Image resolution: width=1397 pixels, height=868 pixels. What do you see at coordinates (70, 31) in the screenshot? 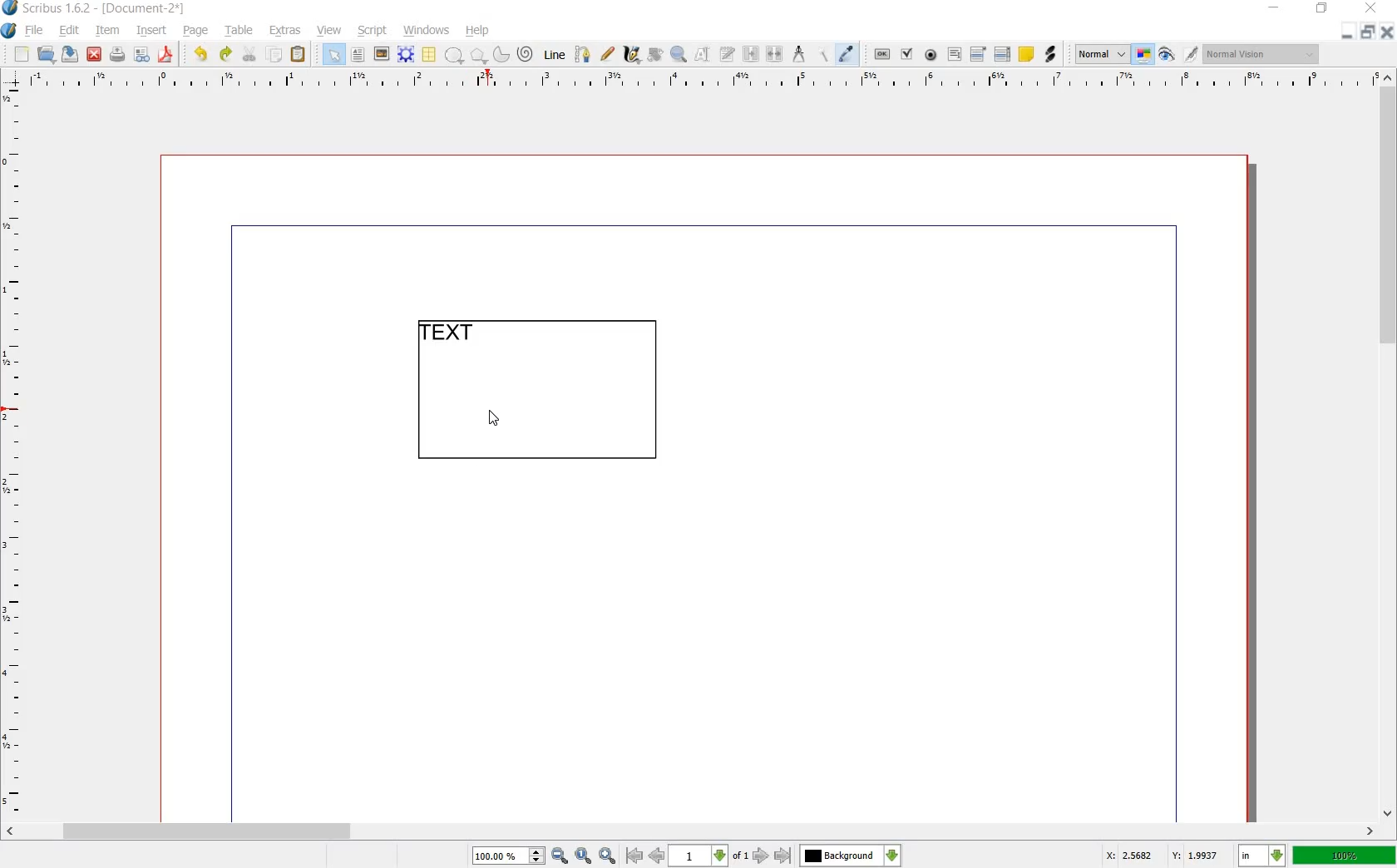
I see `edit` at bounding box center [70, 31].